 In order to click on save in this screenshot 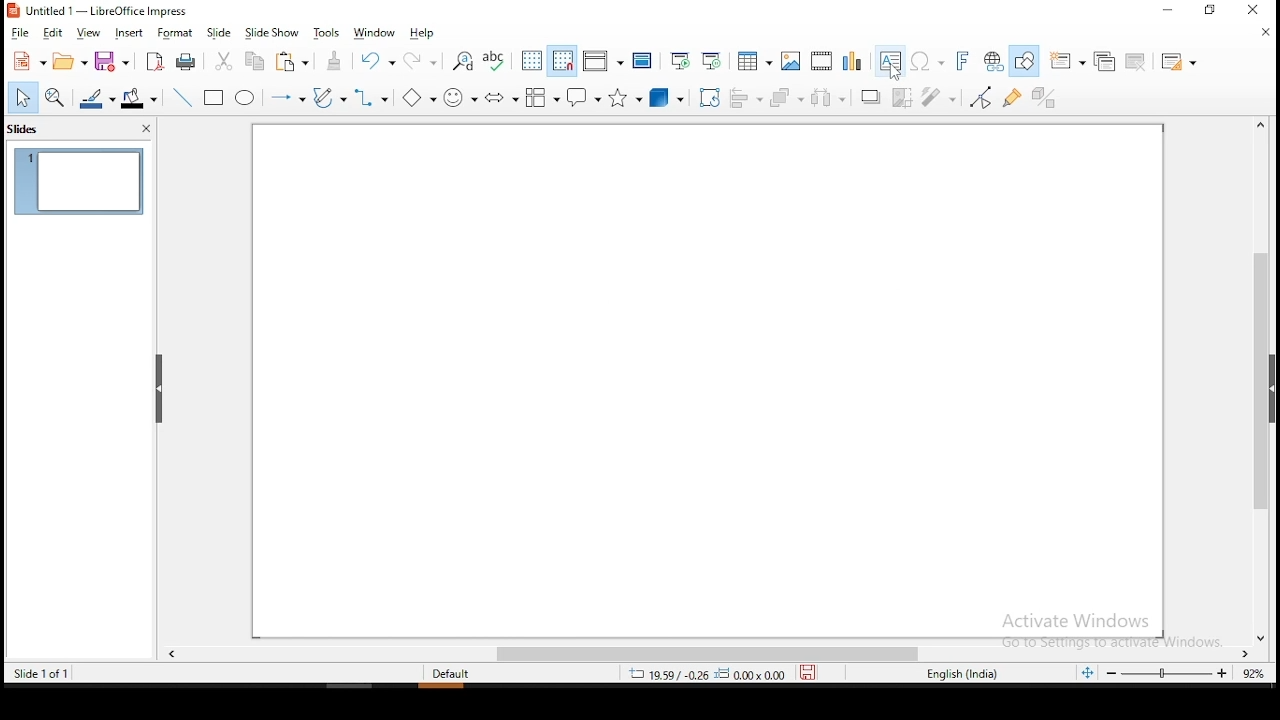, I will do `click(113, 60)`.